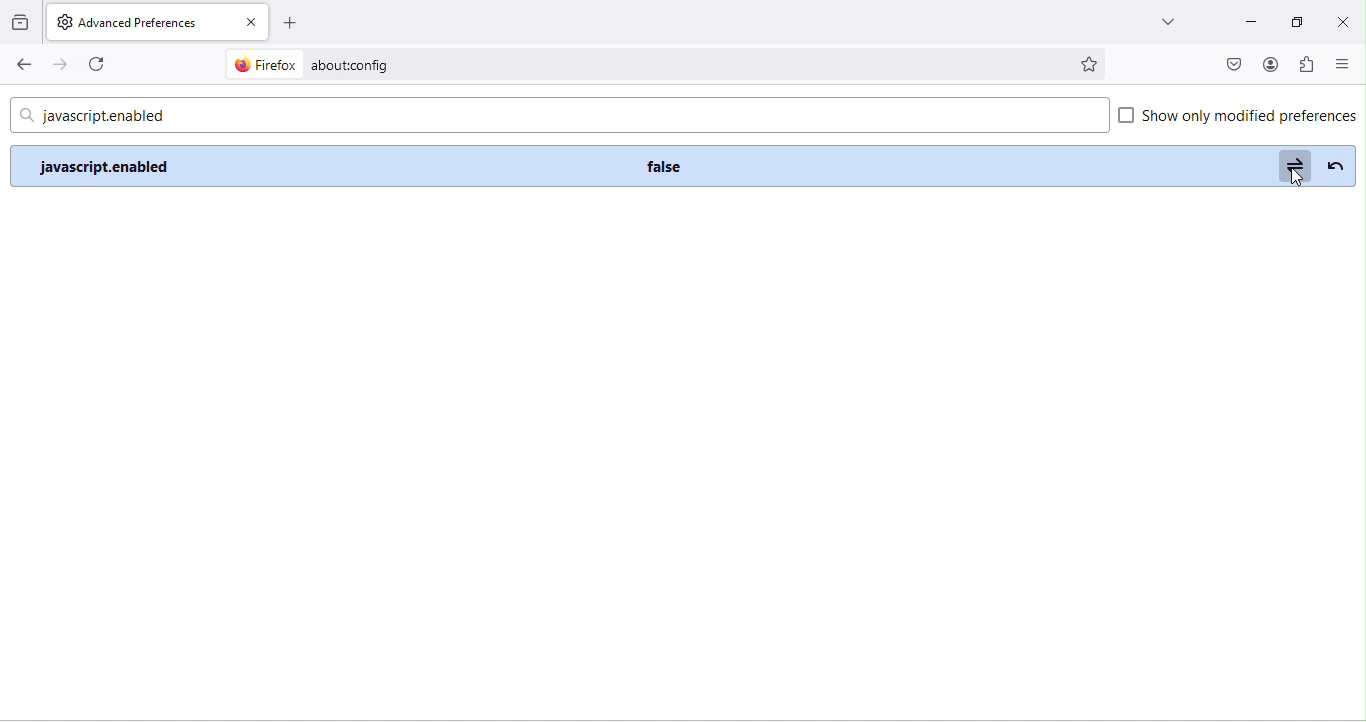  I want to click on reverse, so click(1335, 167).